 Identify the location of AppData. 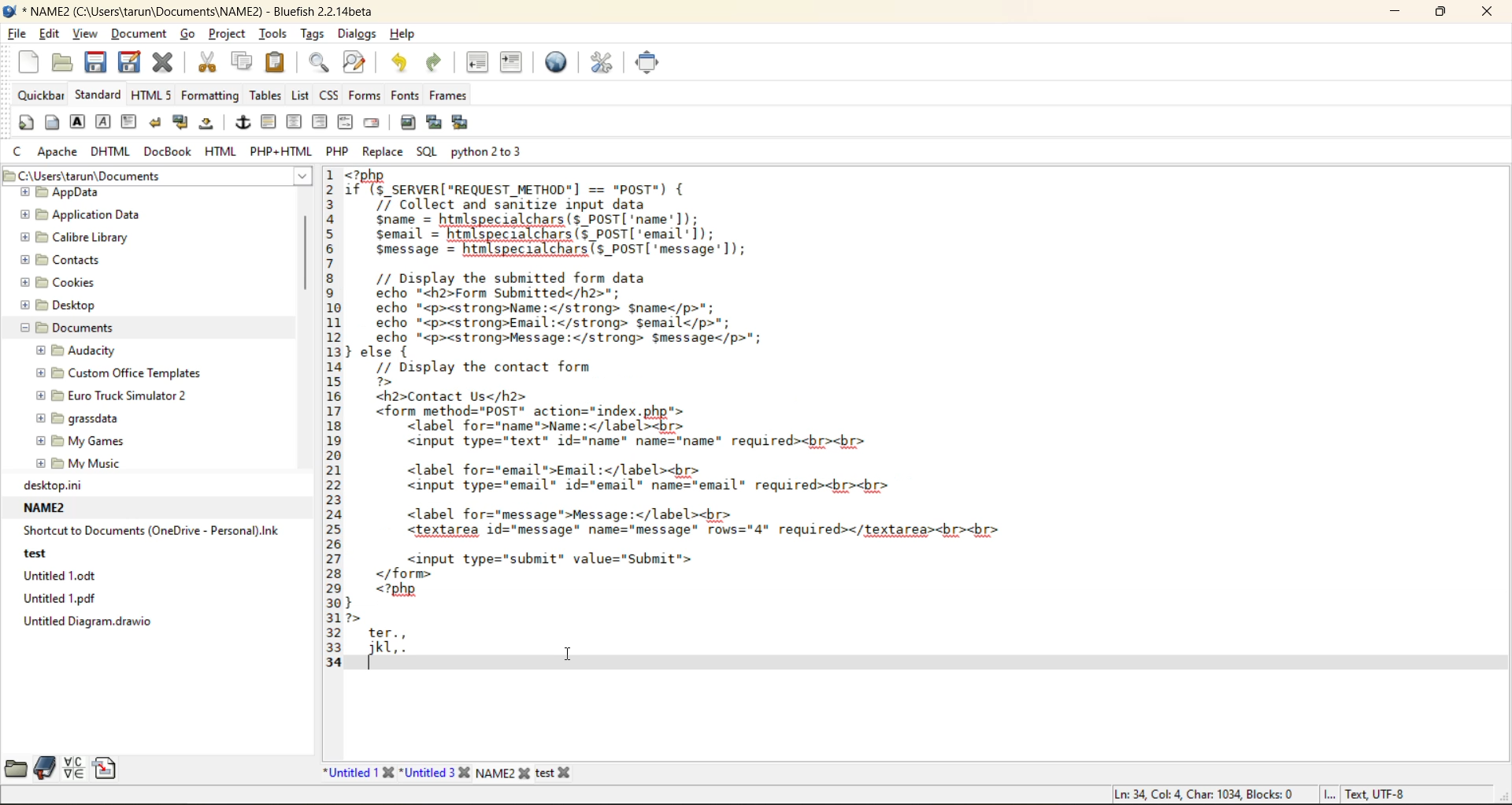
(65, 193).